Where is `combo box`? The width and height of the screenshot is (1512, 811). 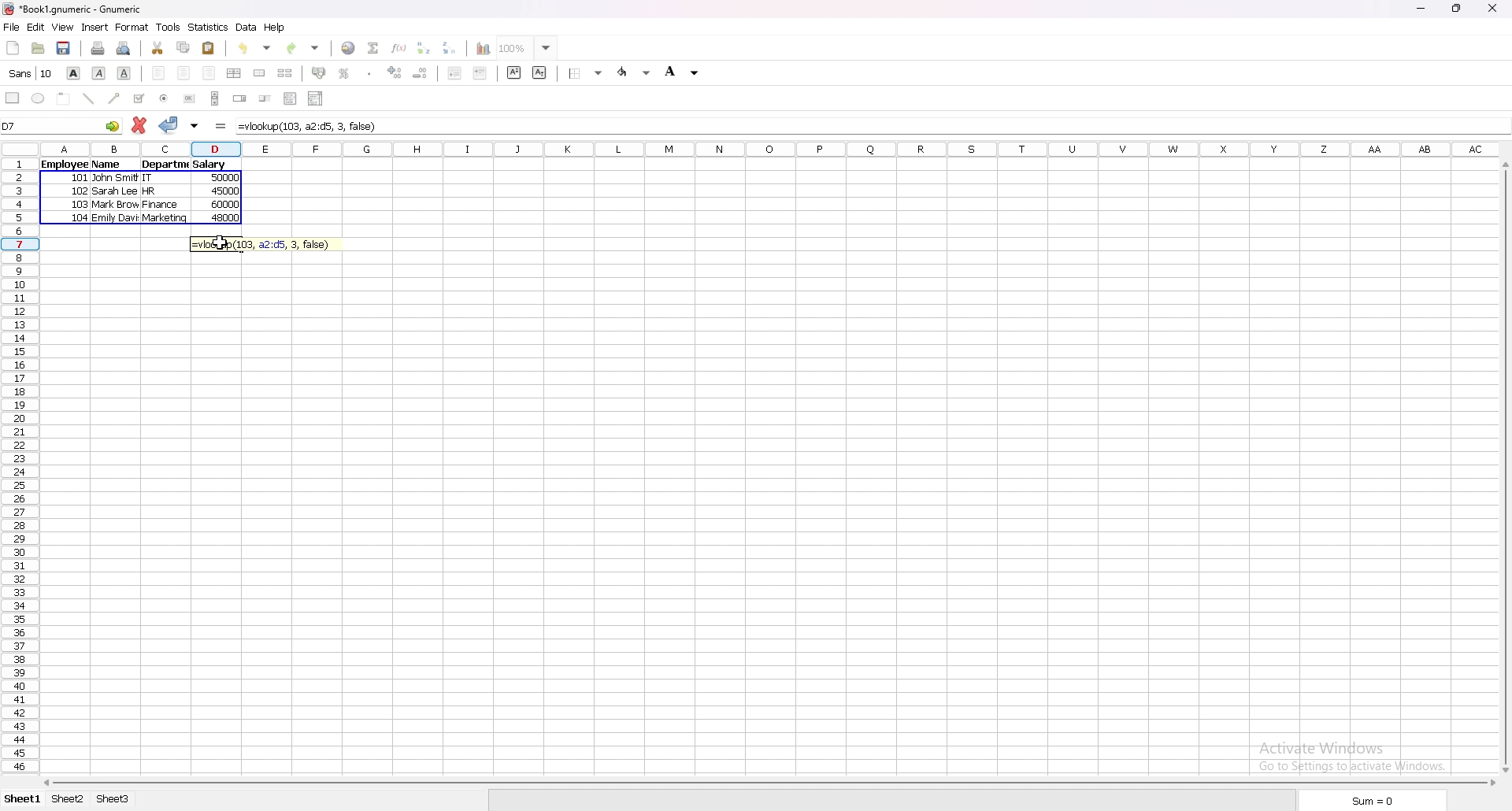
combo box is located at coordinates (316, 98).